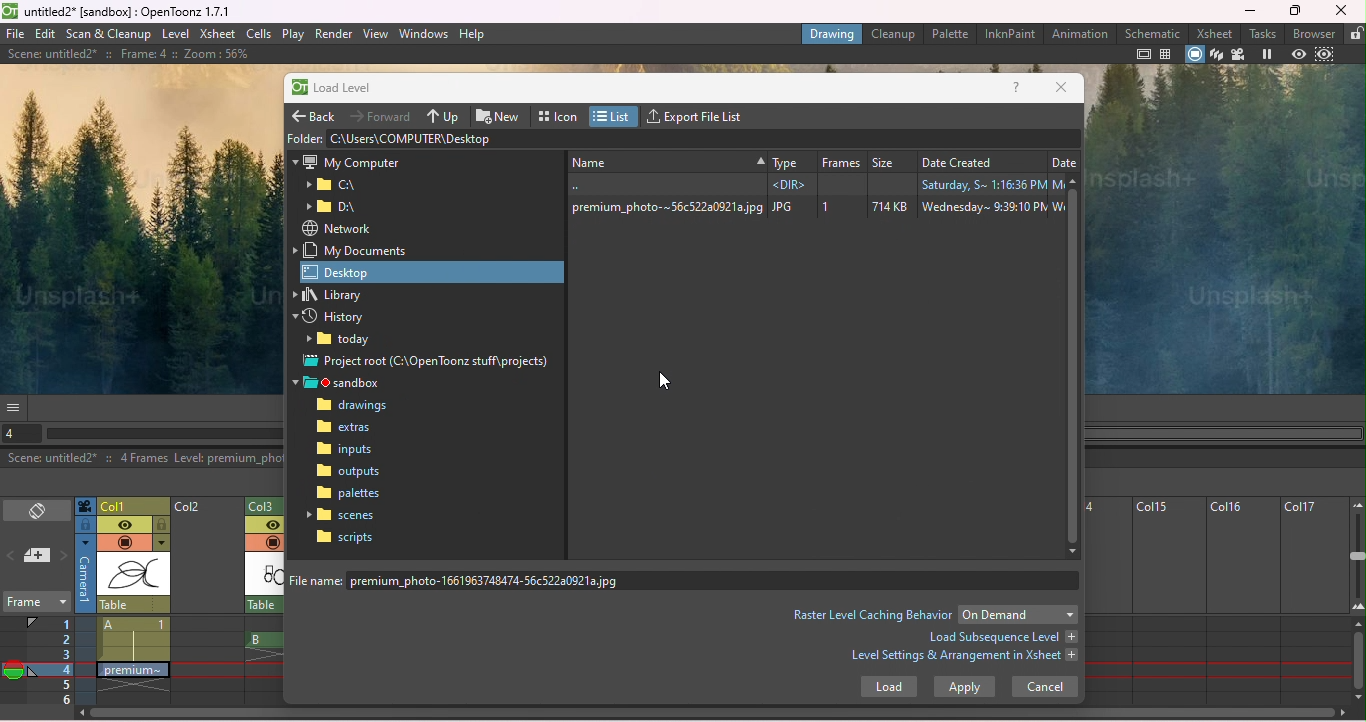 This screenshot has width=1366, height=722. What do you see at coordinates (1043, 688) in the screenshot?
I see `Cancel` at bounding box center [1043, 688].